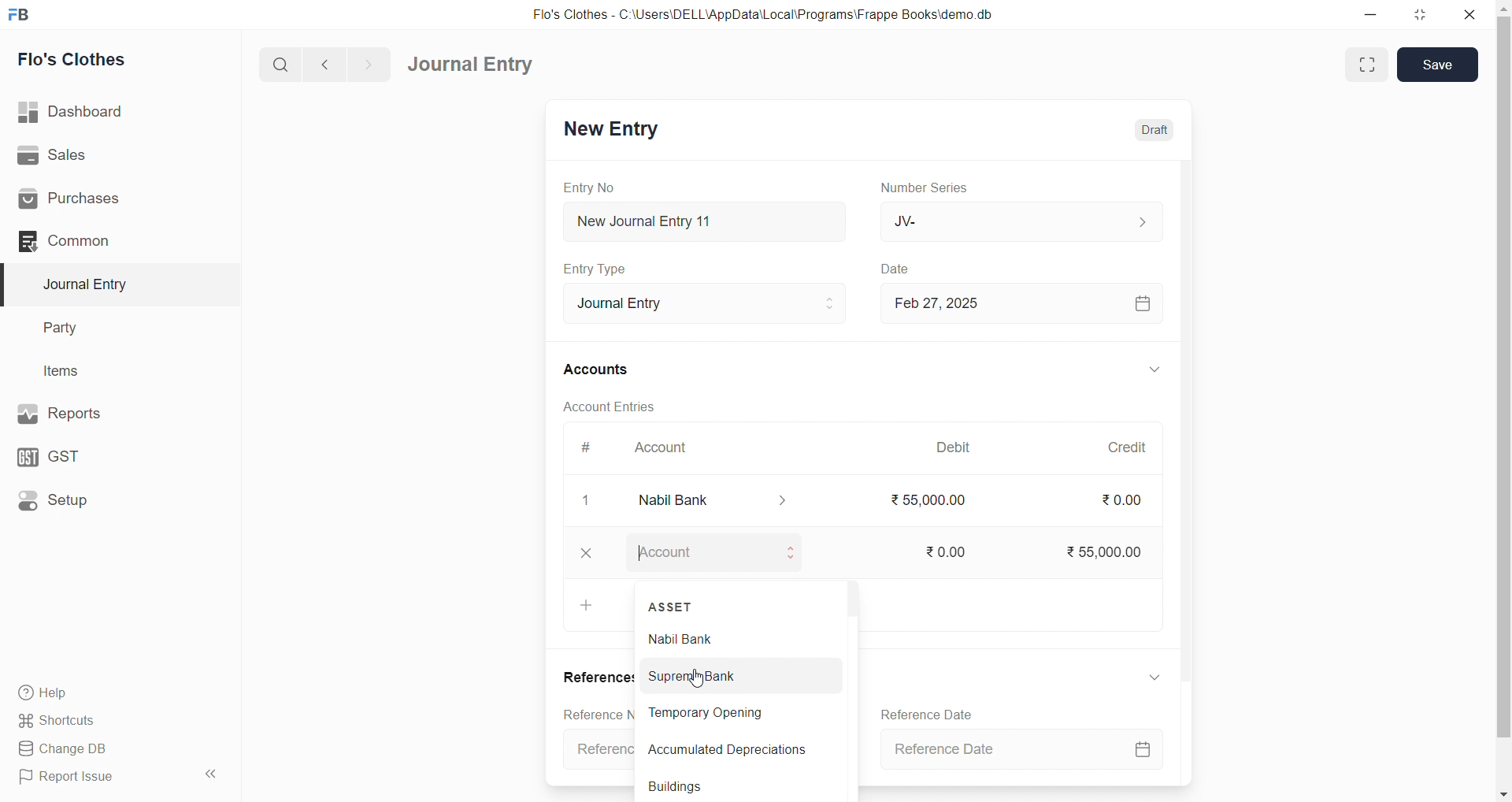  I want to click on Nabil Bank, so click(721, 503).